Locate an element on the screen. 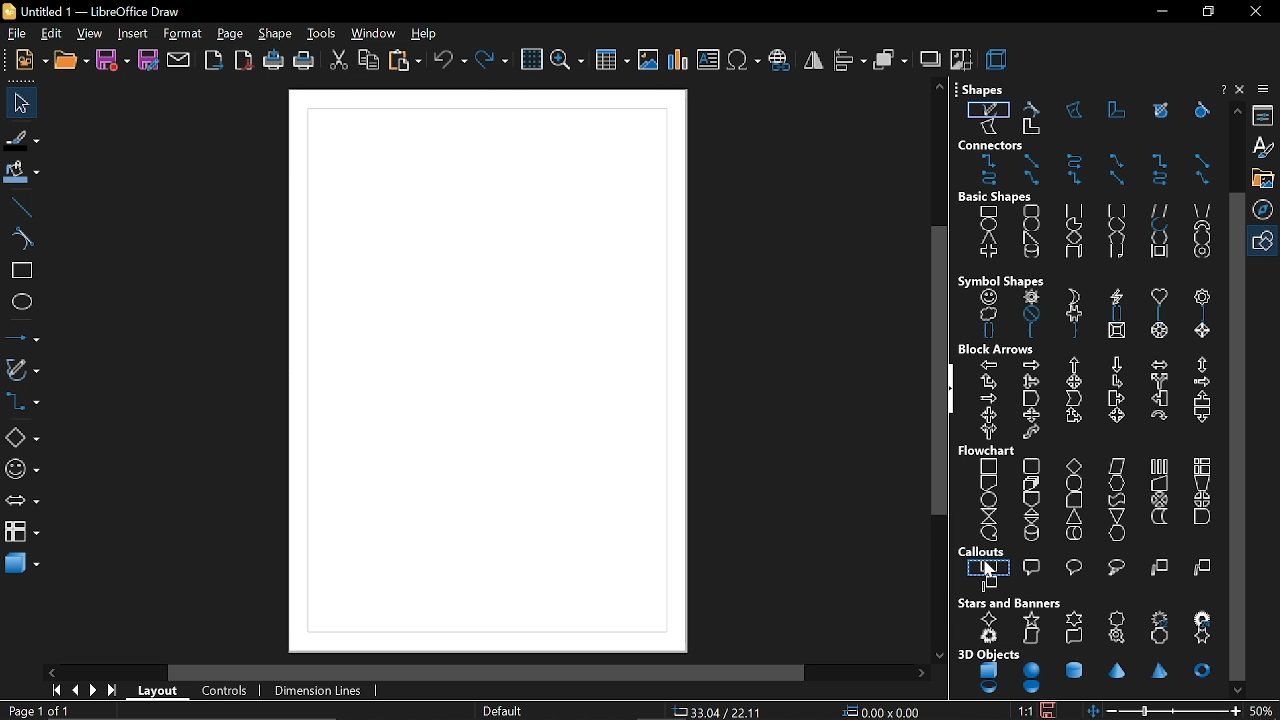 The height and width of the screenshot is (720, 1280). signet is located at coordinates (1119, 638).